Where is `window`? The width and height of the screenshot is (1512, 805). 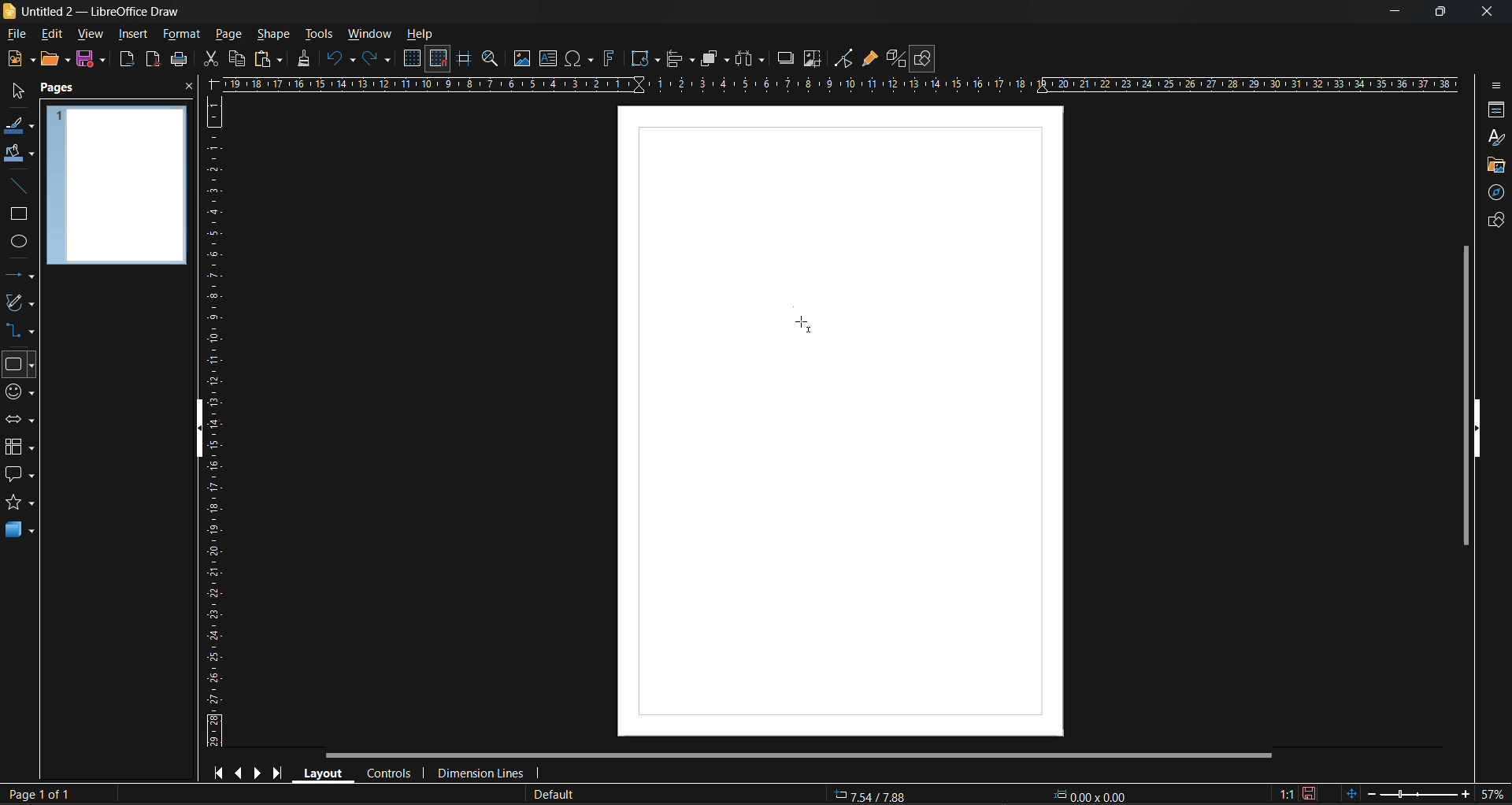 window is located at coordinates (368, 35).